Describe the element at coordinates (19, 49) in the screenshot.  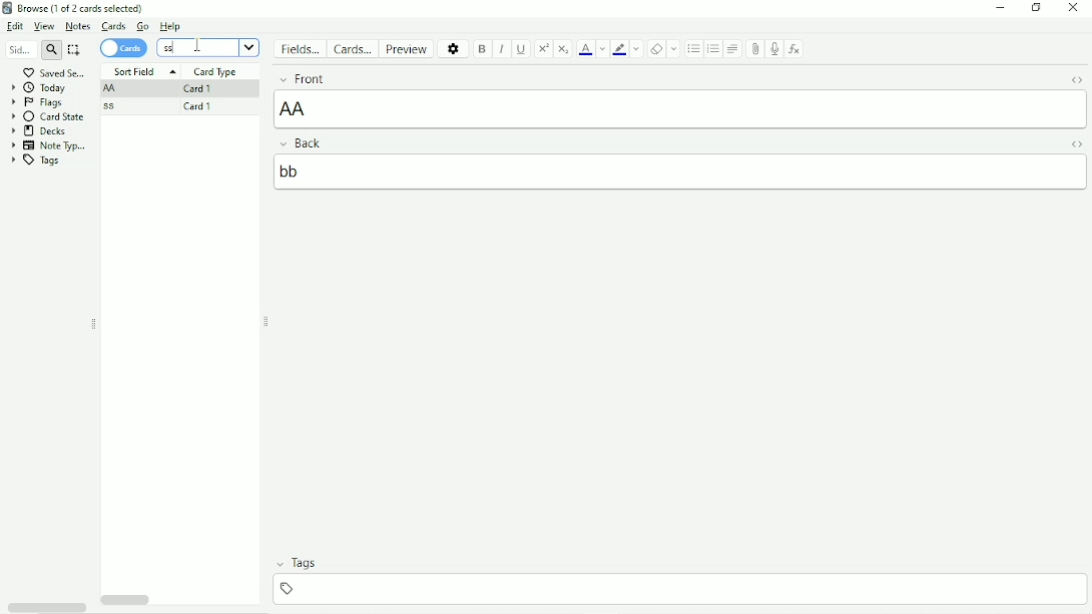
I see `search sidebar` at that location.